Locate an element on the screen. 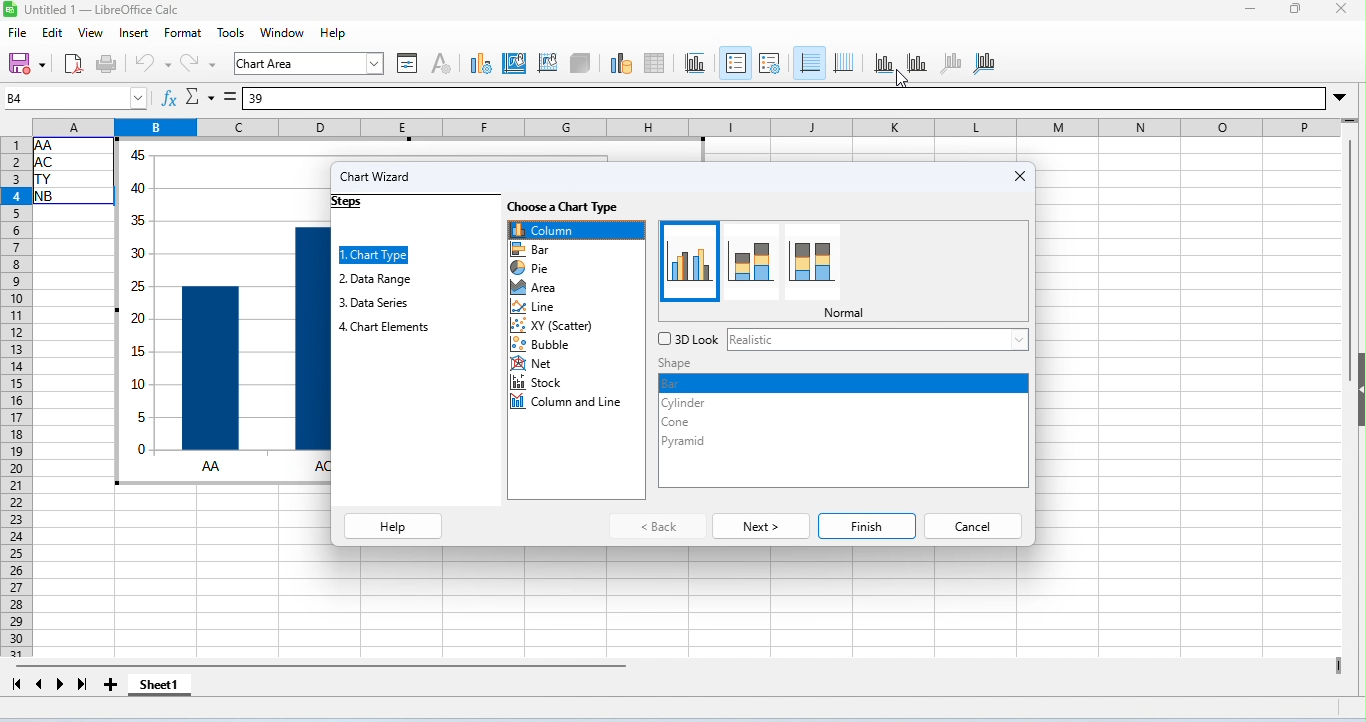  data range is located at coordinates (374, 280).